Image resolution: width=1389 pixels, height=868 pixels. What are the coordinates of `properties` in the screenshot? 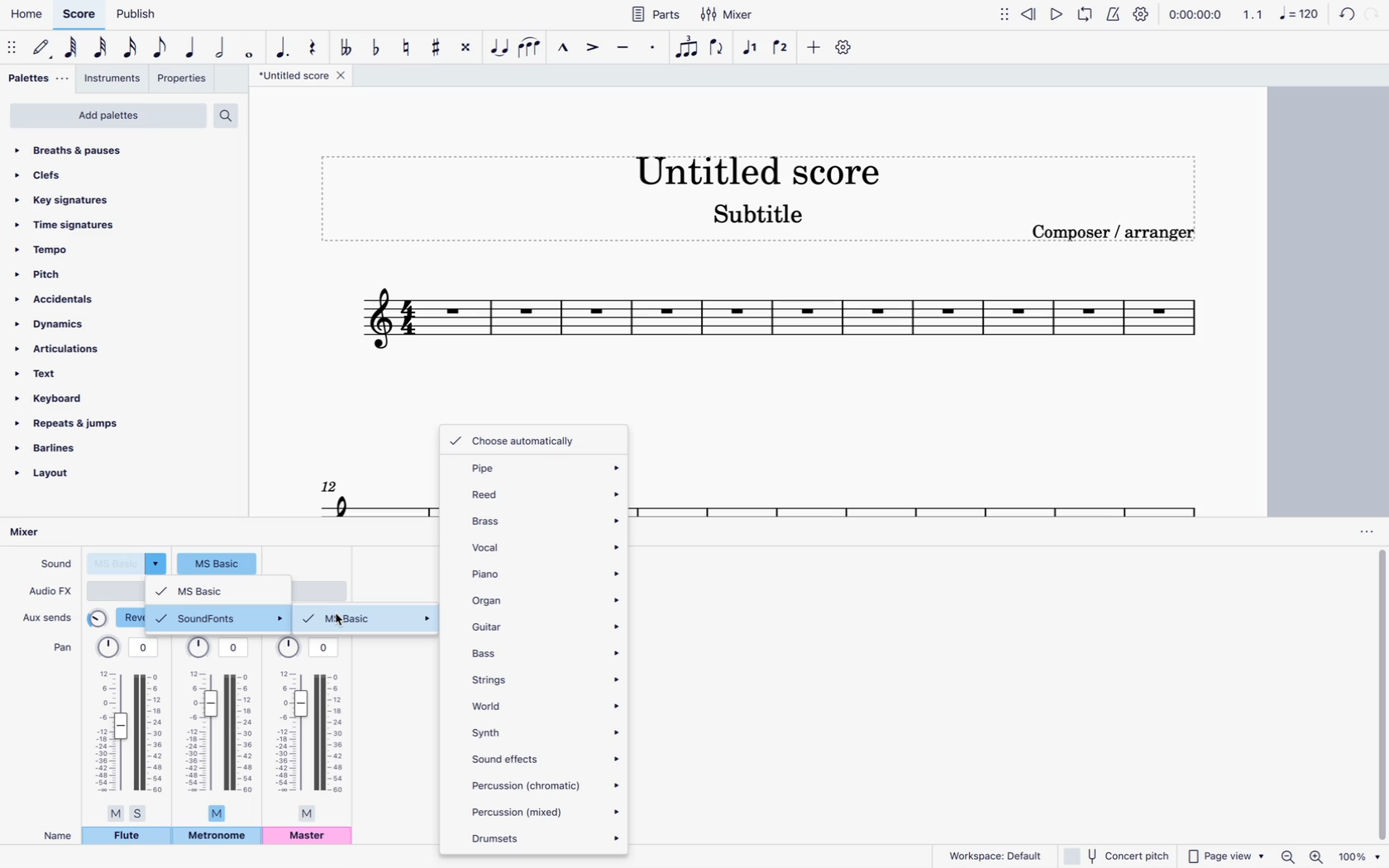 It's located at (184, 80).